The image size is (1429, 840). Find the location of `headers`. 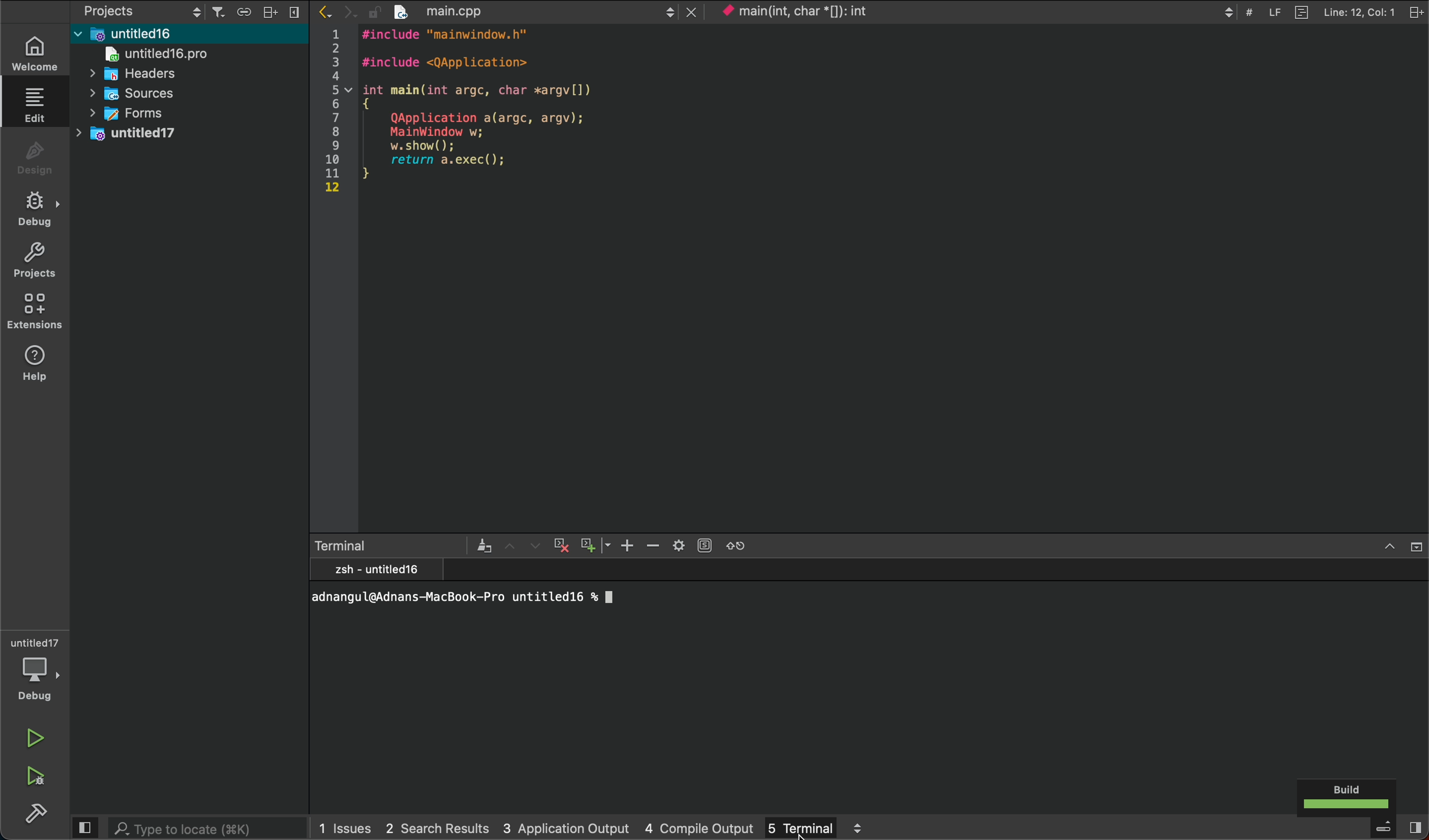

headers is located at coordinates (143, 74).